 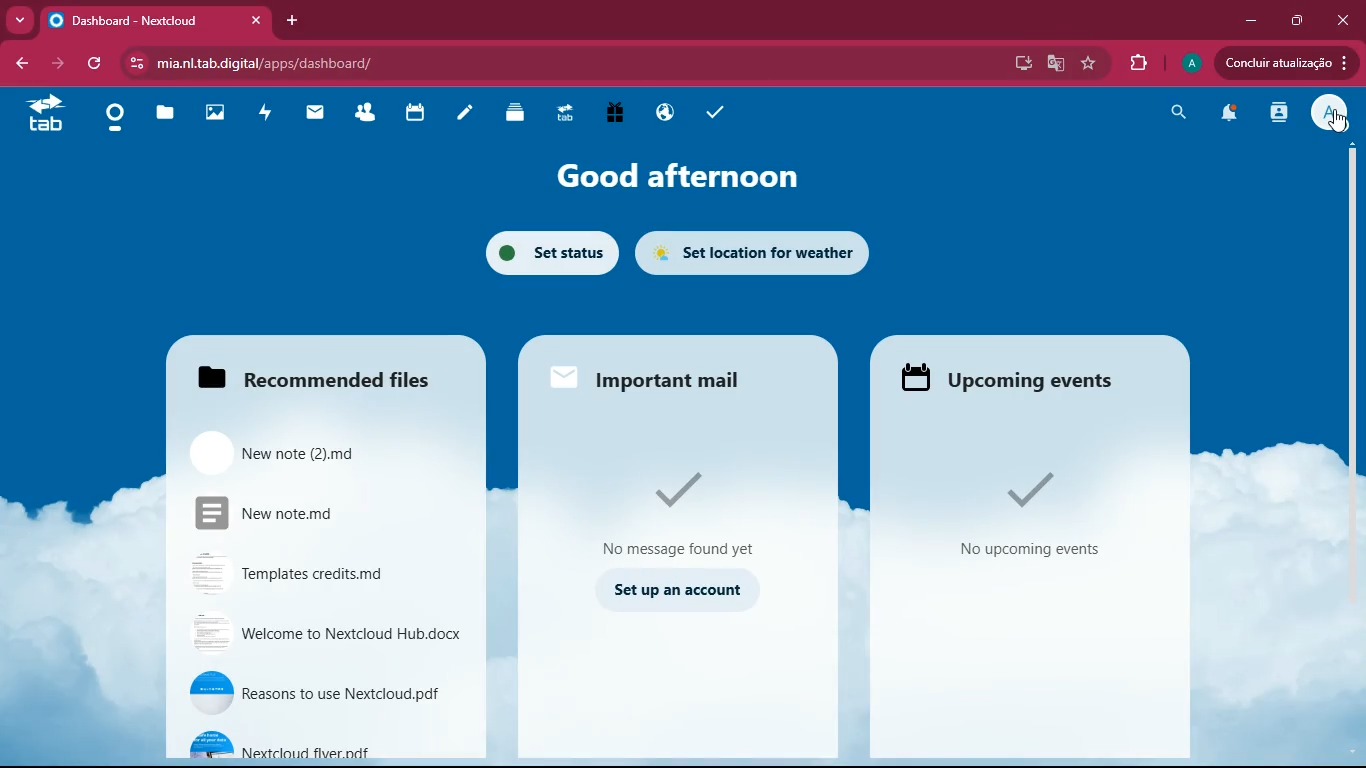 I want to click on files, so click(x=168, y=116).